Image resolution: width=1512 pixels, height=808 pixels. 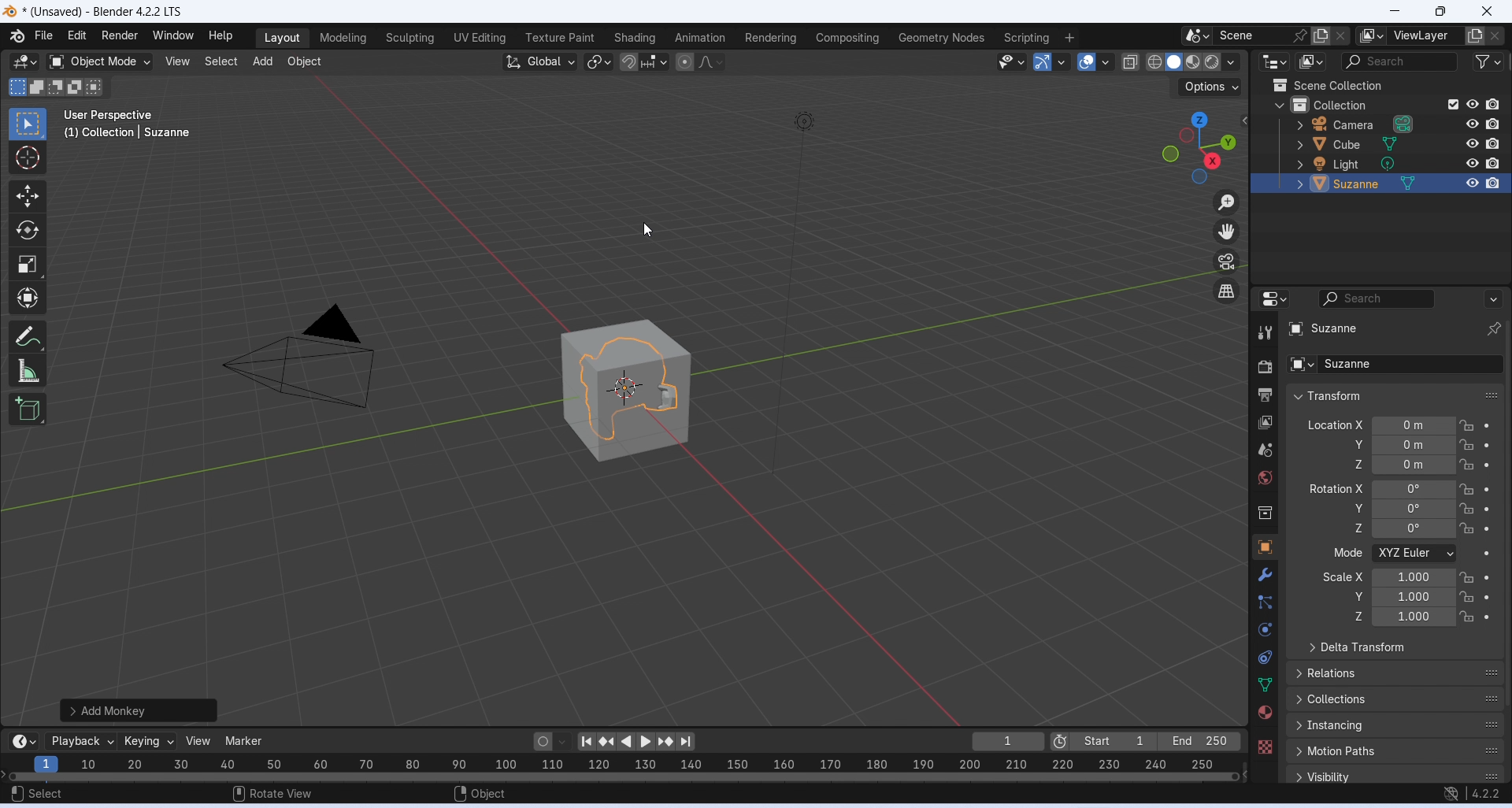 I want to click on jump to keyframe, so click(x=667, y=742).